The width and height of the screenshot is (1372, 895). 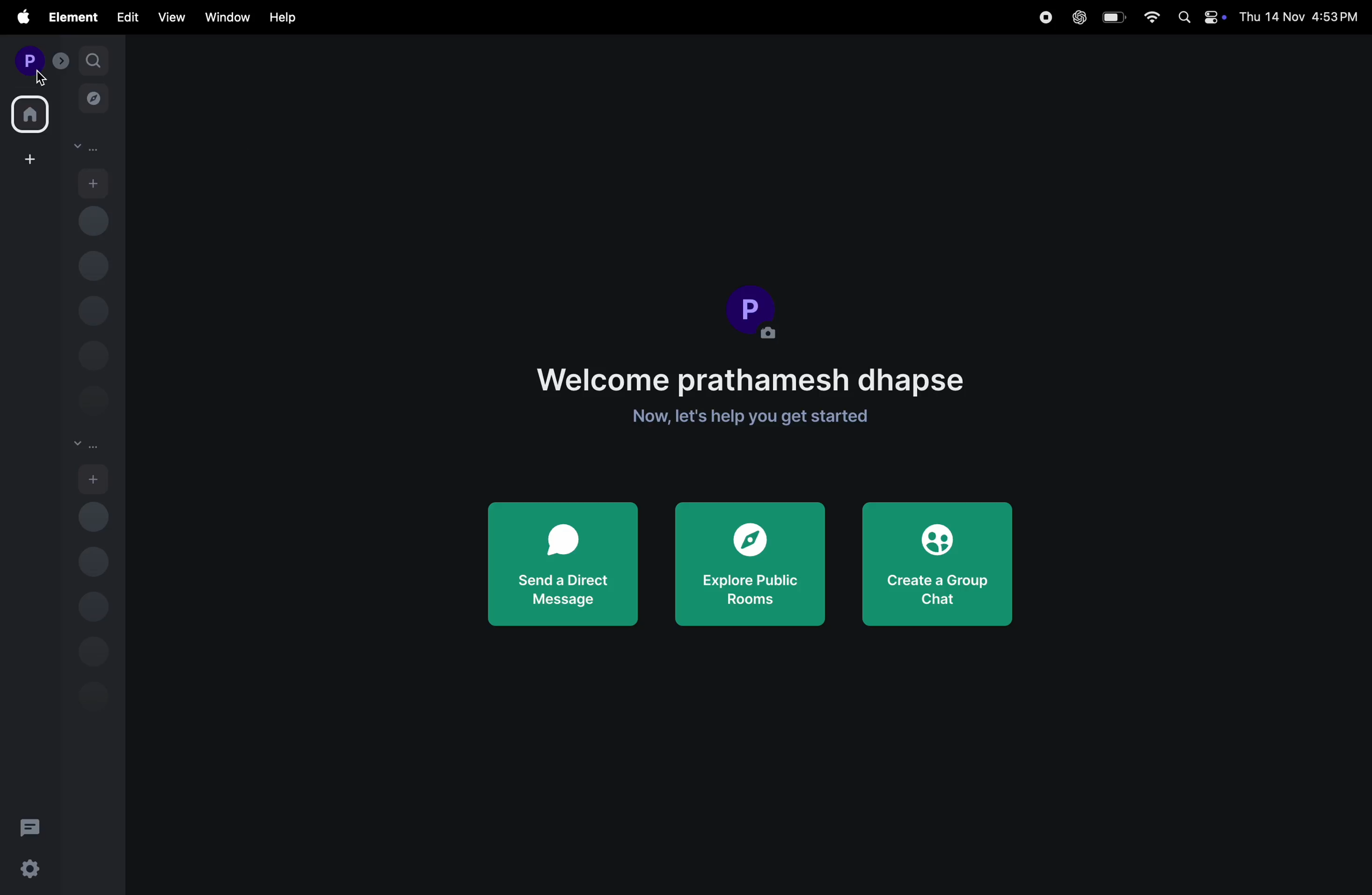 What do you see at coordinates (226, 17) in the screenshot?
I see `window` at bounding box center [226, 17].